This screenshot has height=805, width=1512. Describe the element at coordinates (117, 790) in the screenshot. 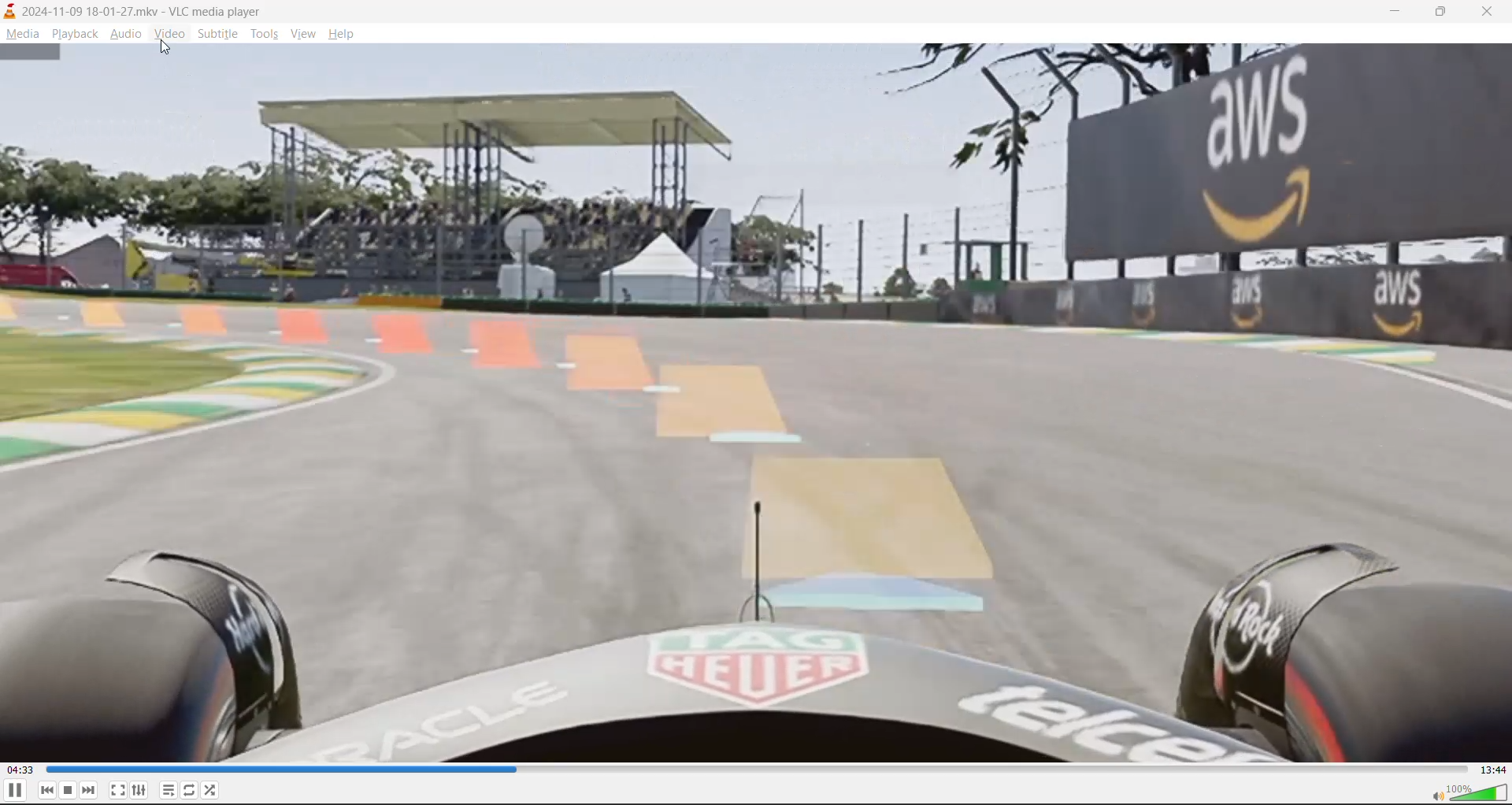

I see `toggle fullscreen` at that location.